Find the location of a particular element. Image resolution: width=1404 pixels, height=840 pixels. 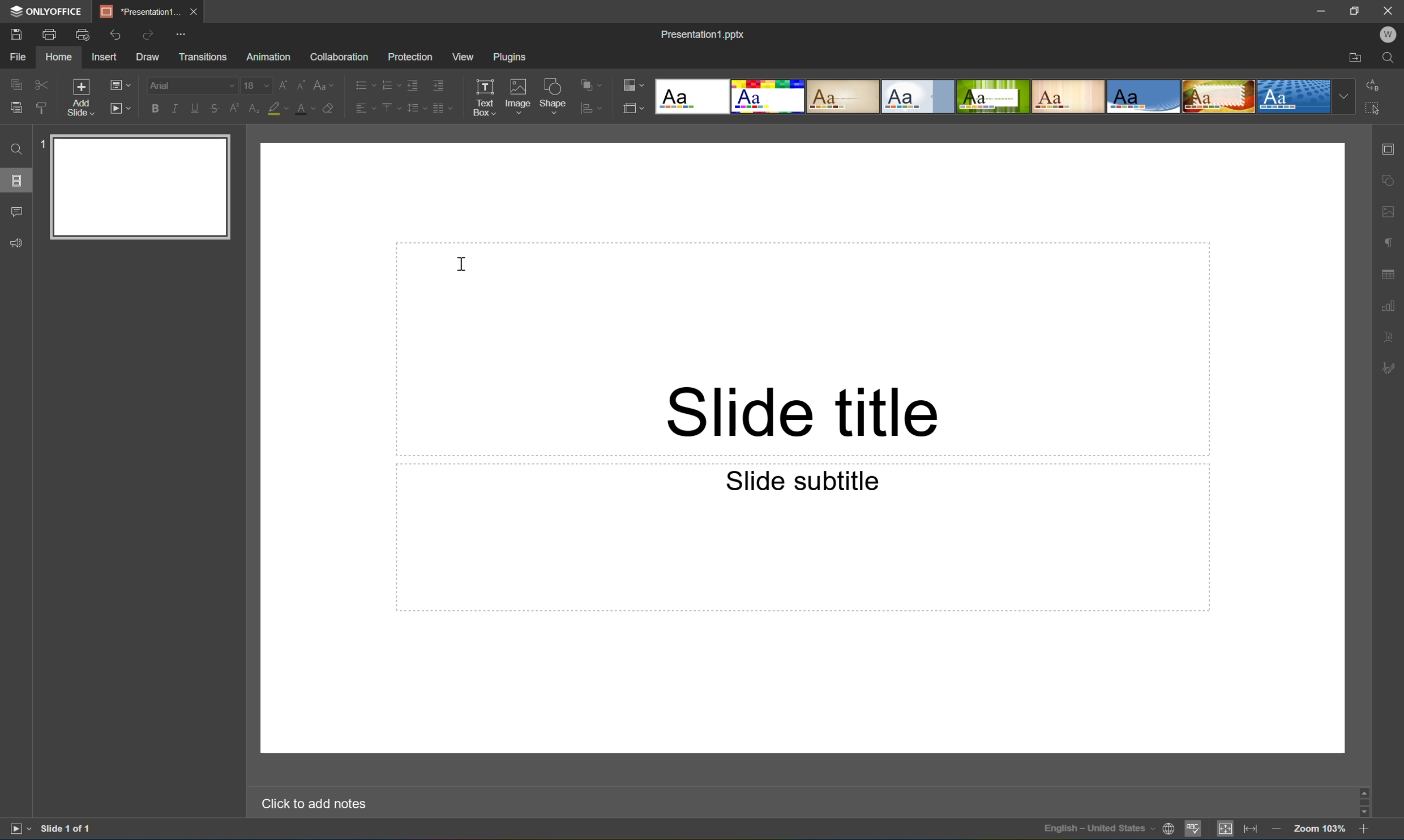

Paragraph settings is located at coordinates (1393, 240).